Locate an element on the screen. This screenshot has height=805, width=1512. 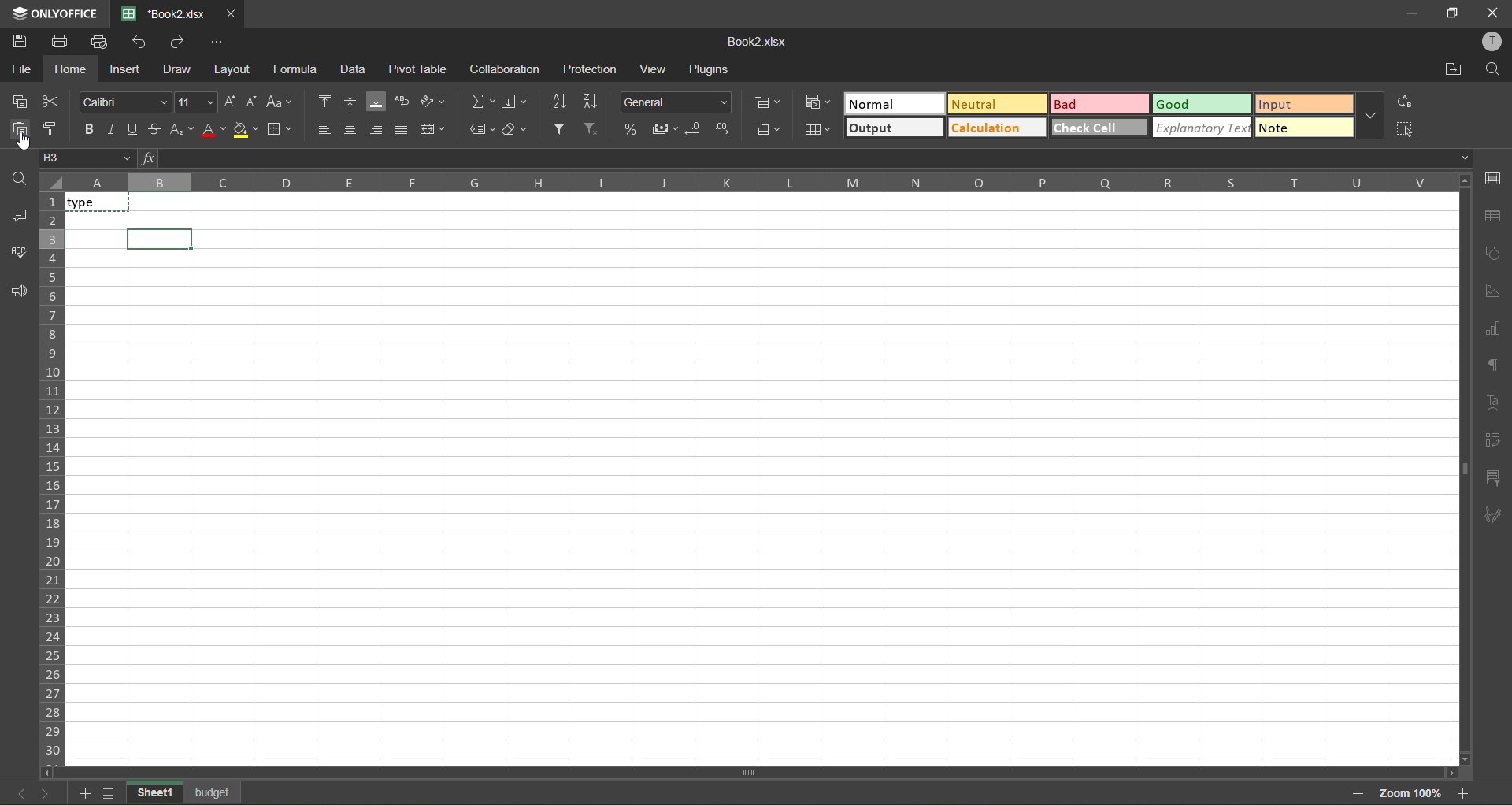
text is located at coordinates (1493, 402).